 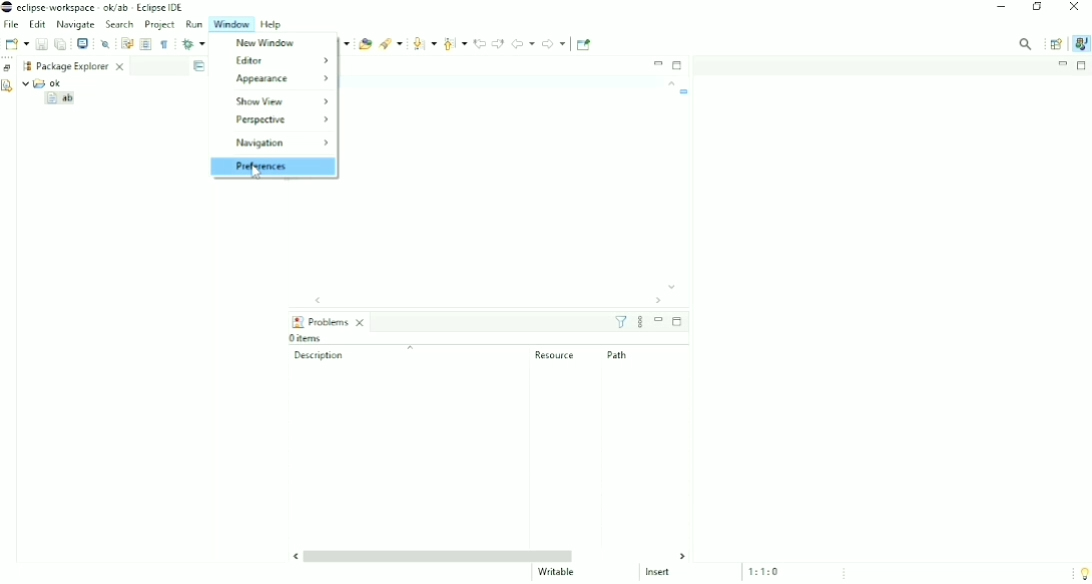 I want to click on Description, so click(x=358, y=355).